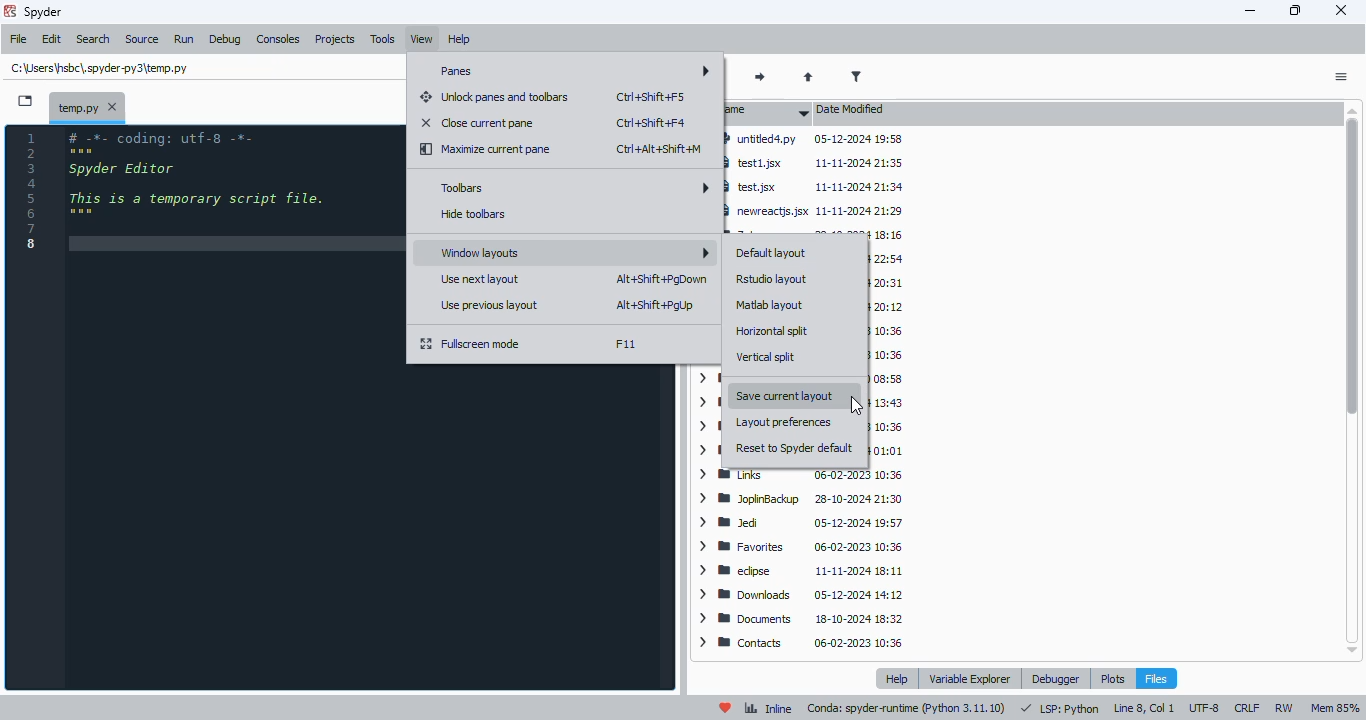  I want to click on vertical scroll bar, so click(1353, 265).